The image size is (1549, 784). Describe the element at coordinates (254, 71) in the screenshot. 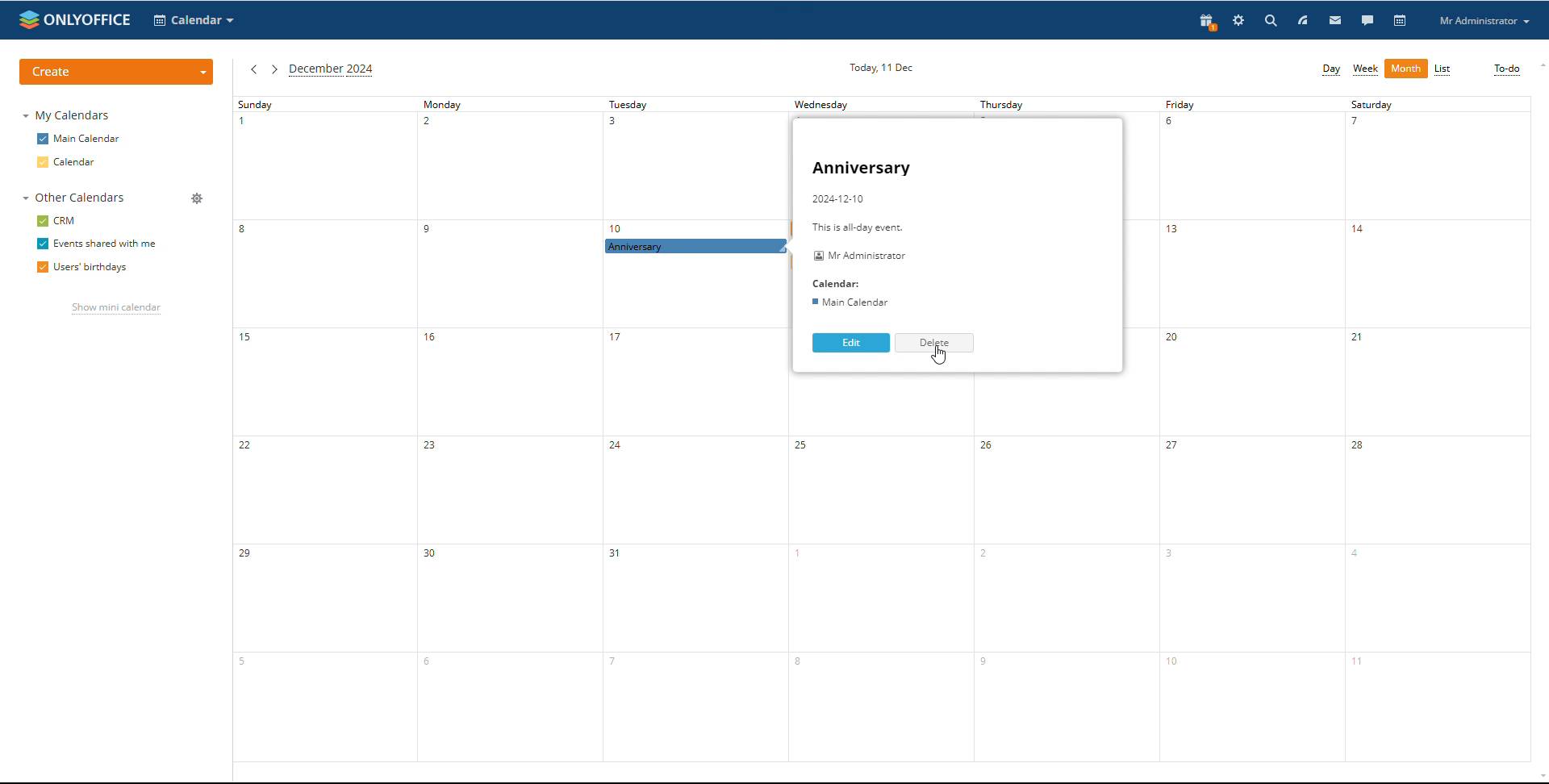

I see `previous month` at that location.